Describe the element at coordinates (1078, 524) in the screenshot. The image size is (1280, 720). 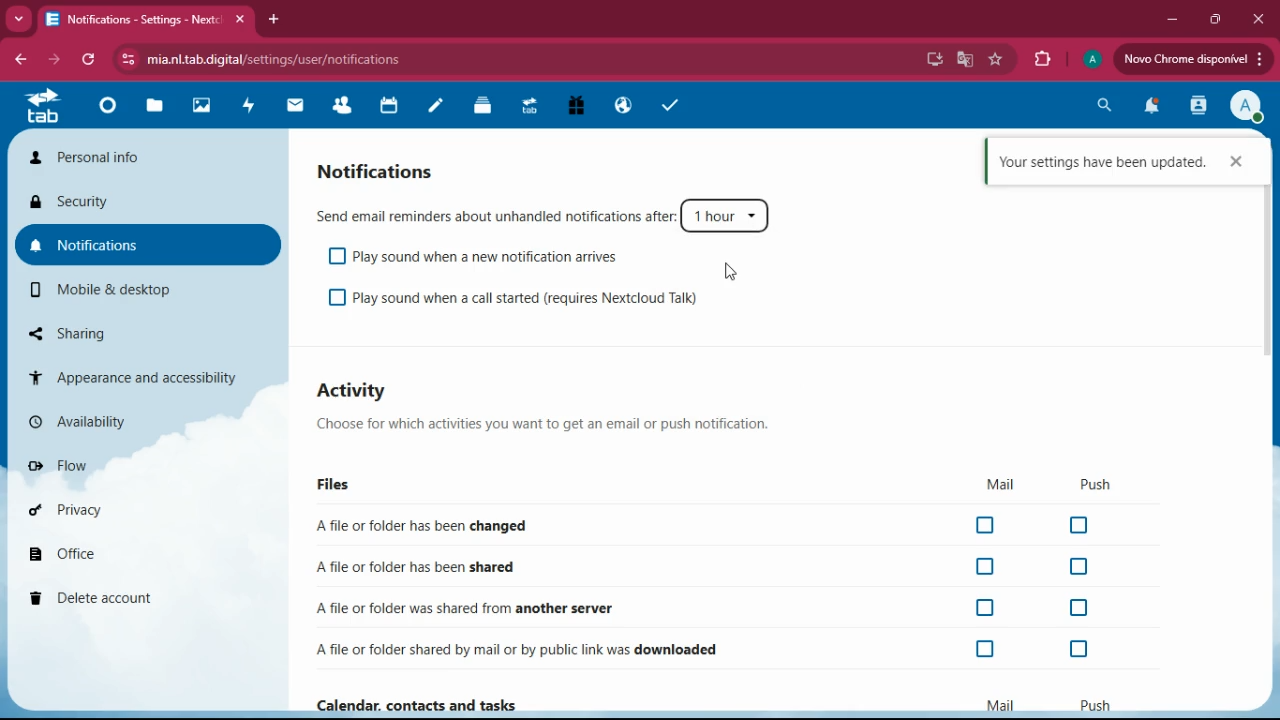
I see `off` at that location.